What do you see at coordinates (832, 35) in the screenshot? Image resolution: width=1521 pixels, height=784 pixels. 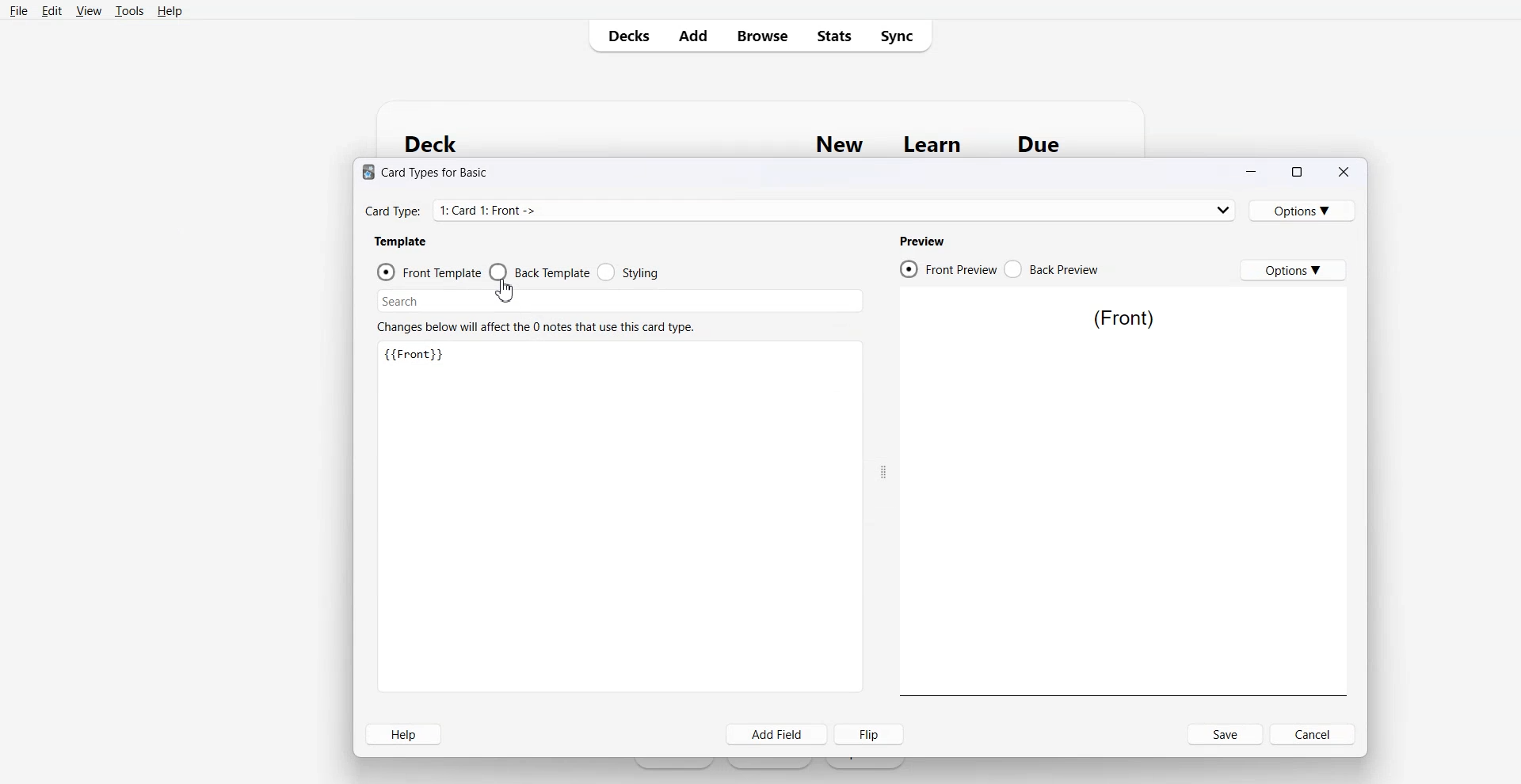 I see `Stats` at bounding box center [832, 35].